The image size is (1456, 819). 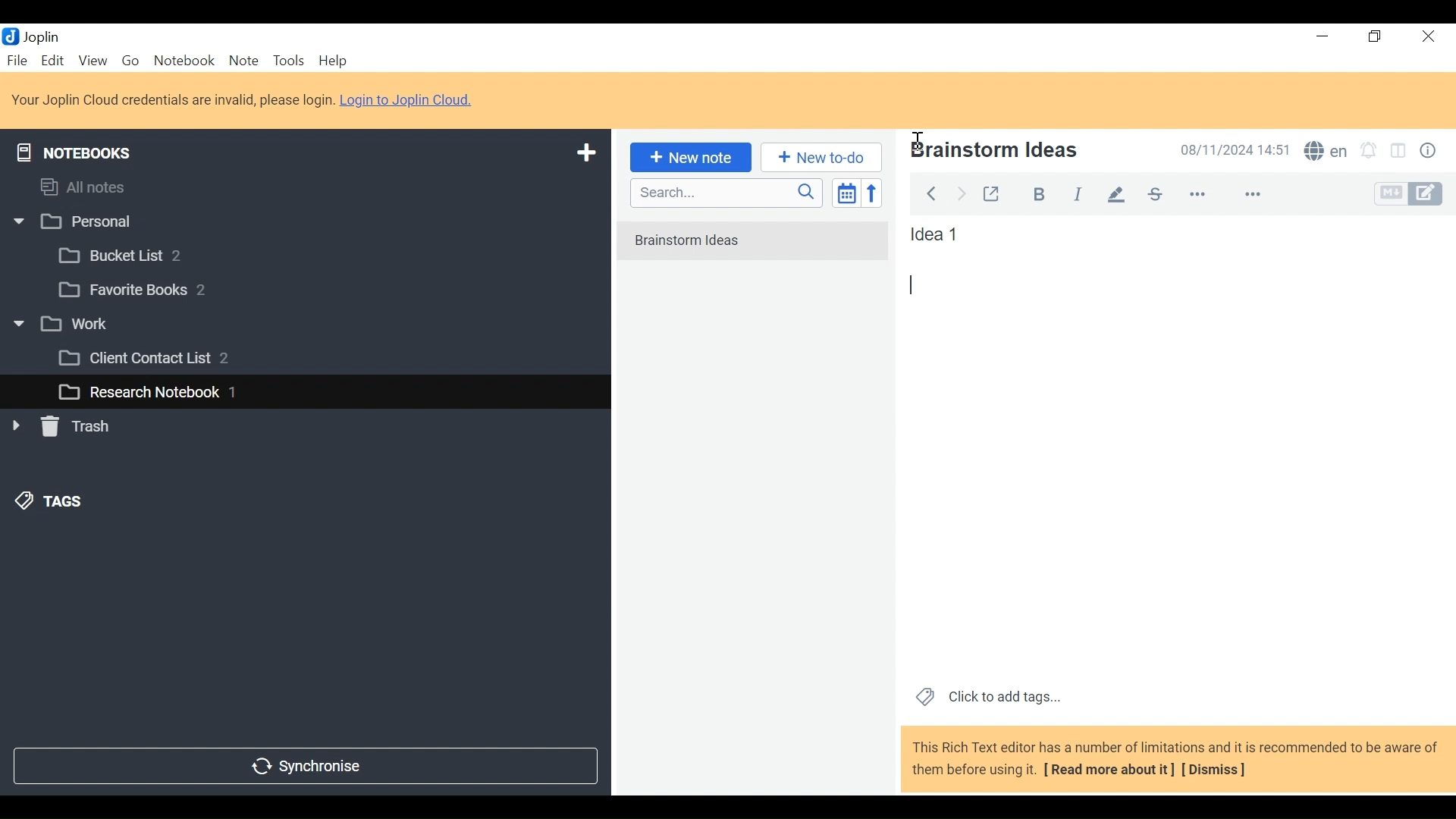 I want to click on v [3 work, so click(x=78, y=325).